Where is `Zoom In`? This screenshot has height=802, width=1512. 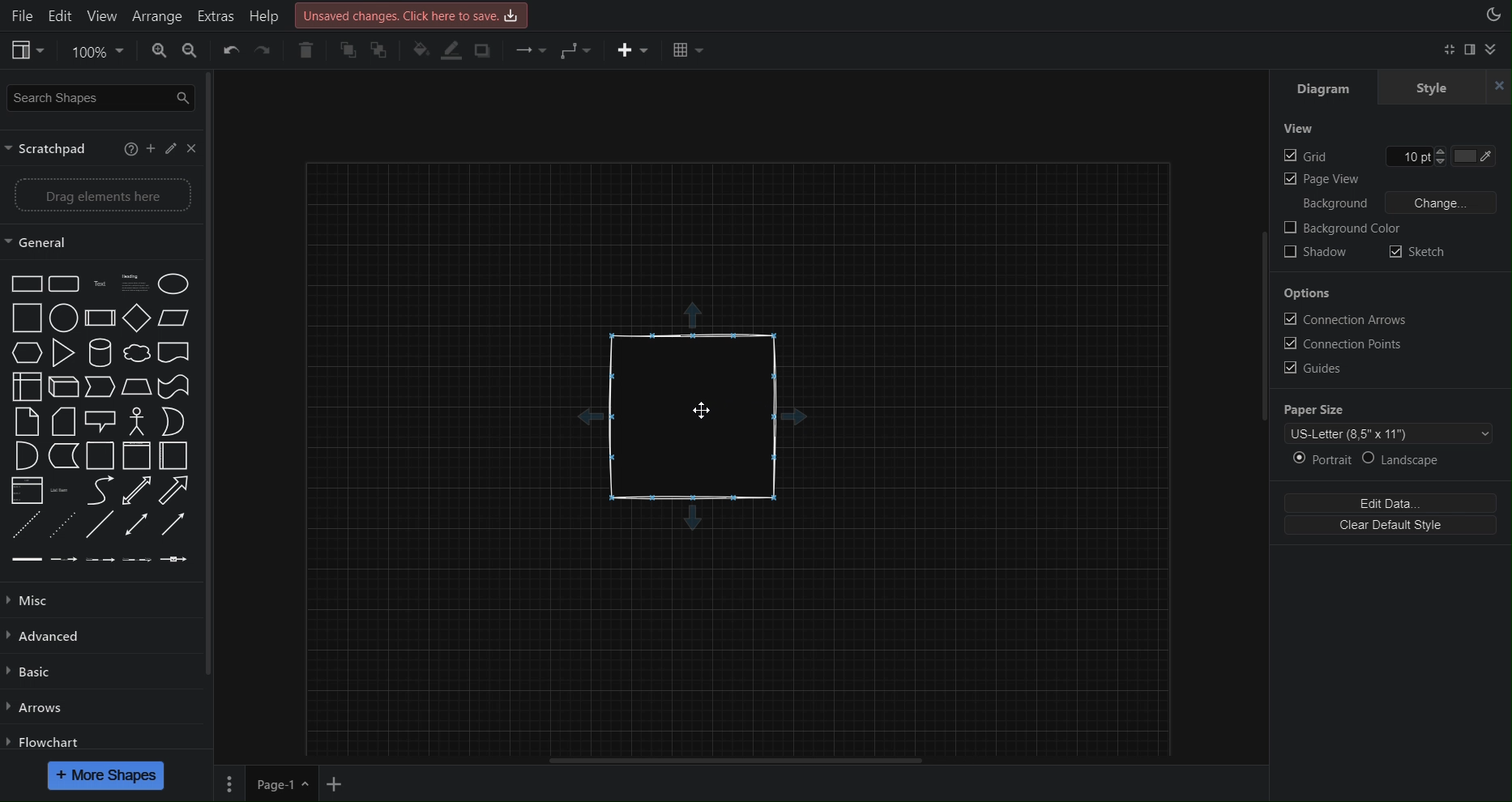 Zoom In is located at coordinates (158, 52).